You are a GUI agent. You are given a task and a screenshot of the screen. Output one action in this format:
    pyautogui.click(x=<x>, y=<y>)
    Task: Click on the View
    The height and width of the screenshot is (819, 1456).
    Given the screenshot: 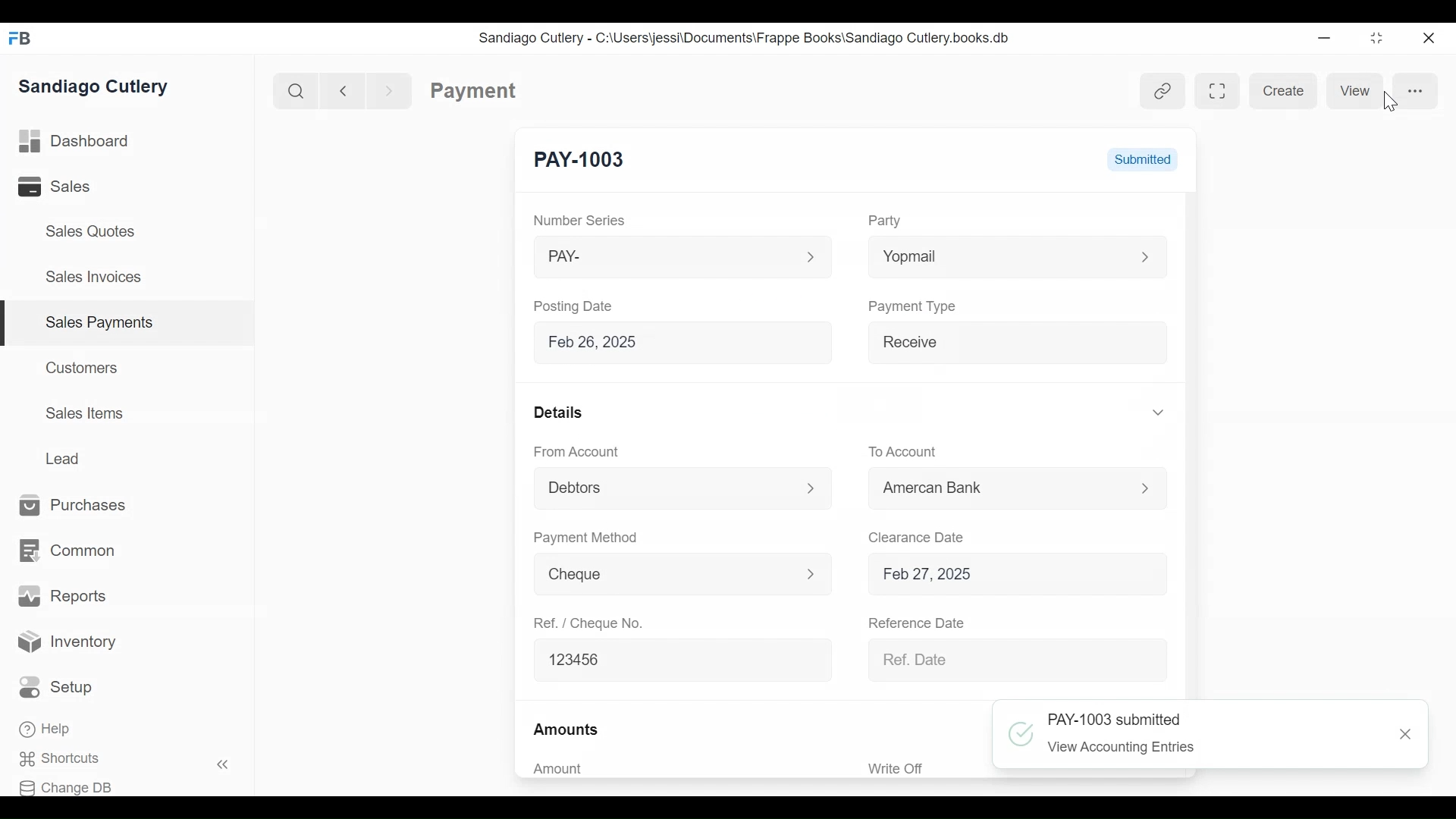 What is the action you would take?
    pyautogui.click(x=1354, y=91)
    